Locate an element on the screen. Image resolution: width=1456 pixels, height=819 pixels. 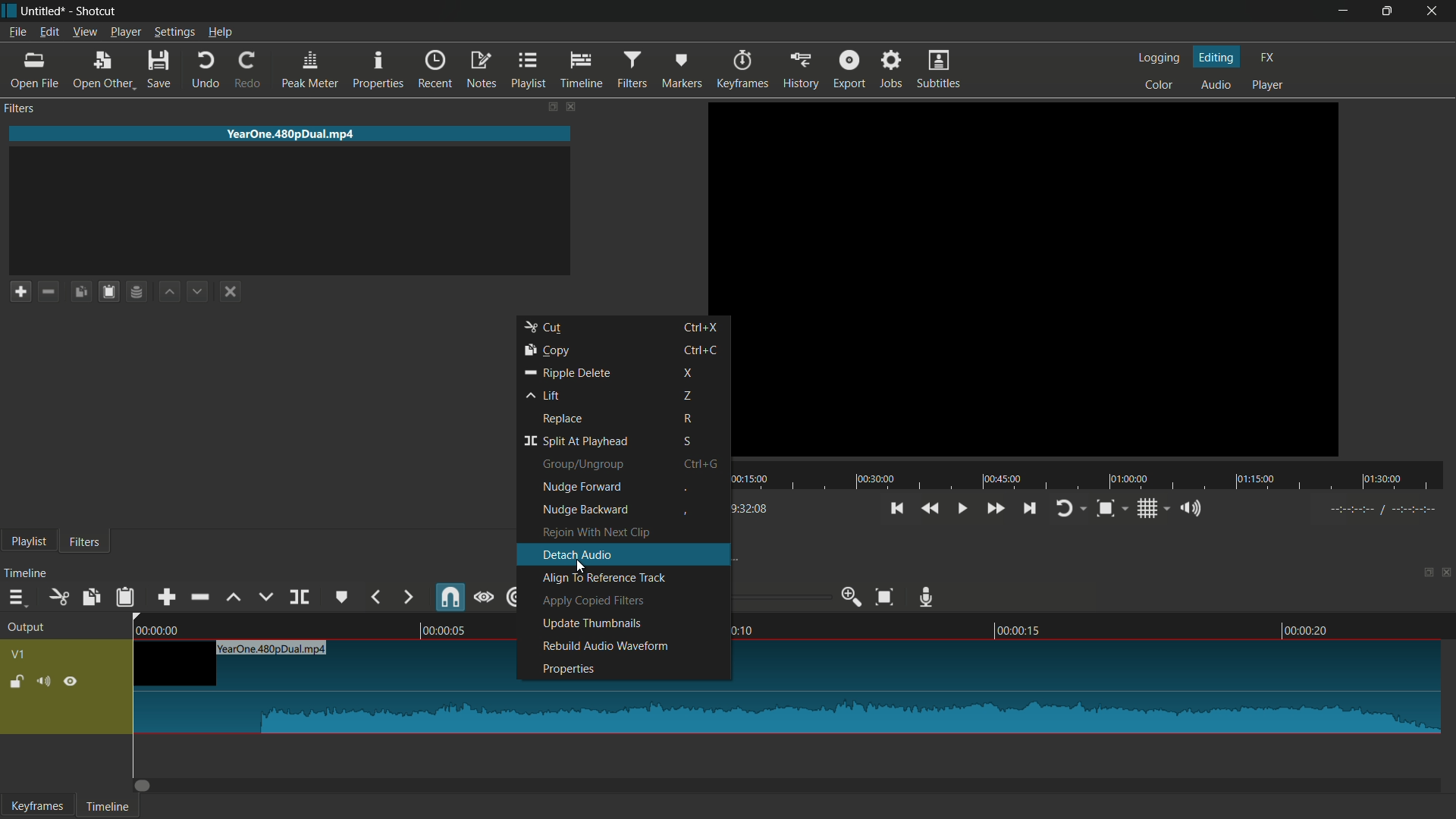
record audio is located at coordinates (927, 595).